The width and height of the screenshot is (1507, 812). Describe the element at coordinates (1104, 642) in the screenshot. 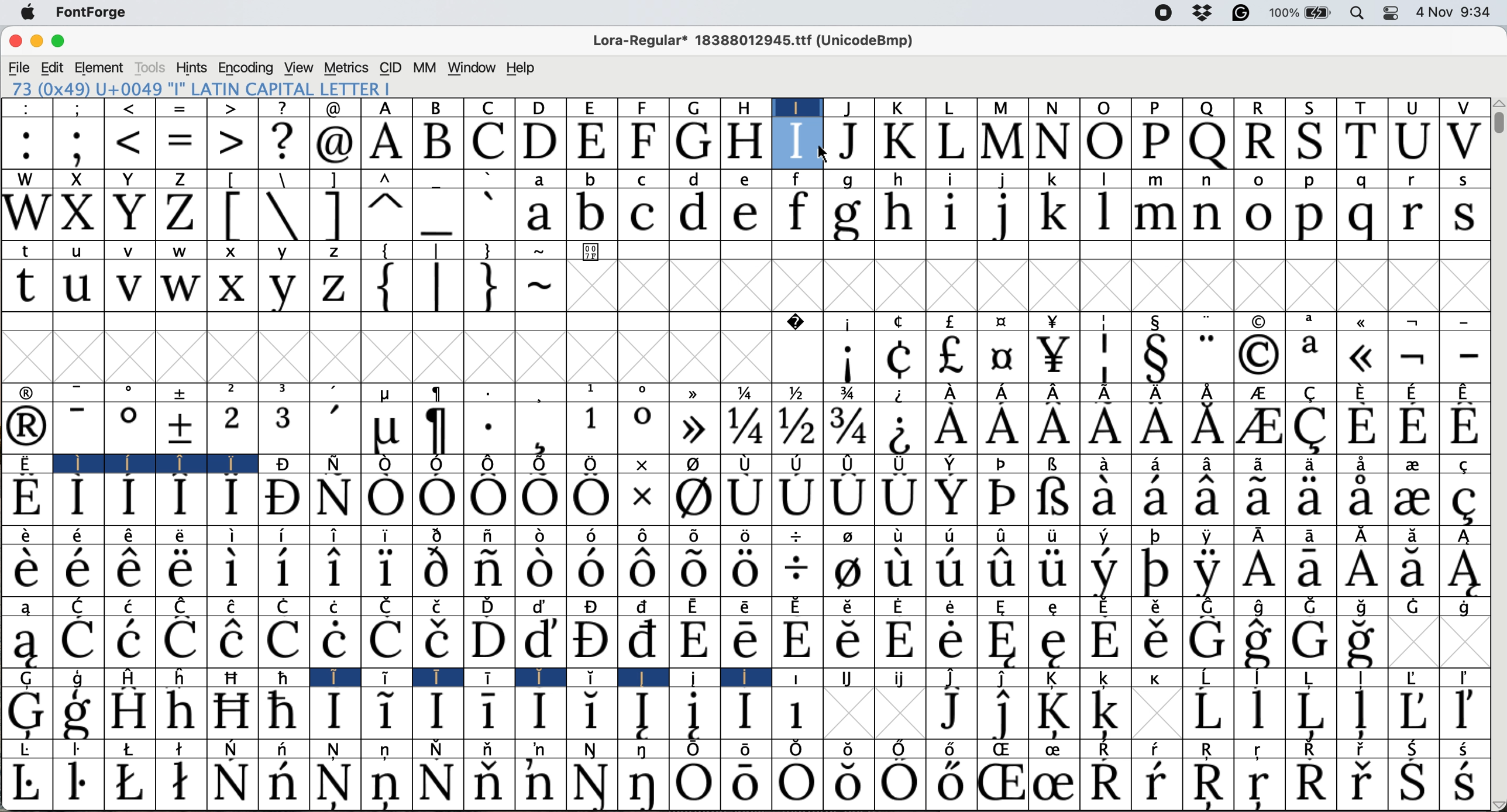

I see `Symbol` at that location.